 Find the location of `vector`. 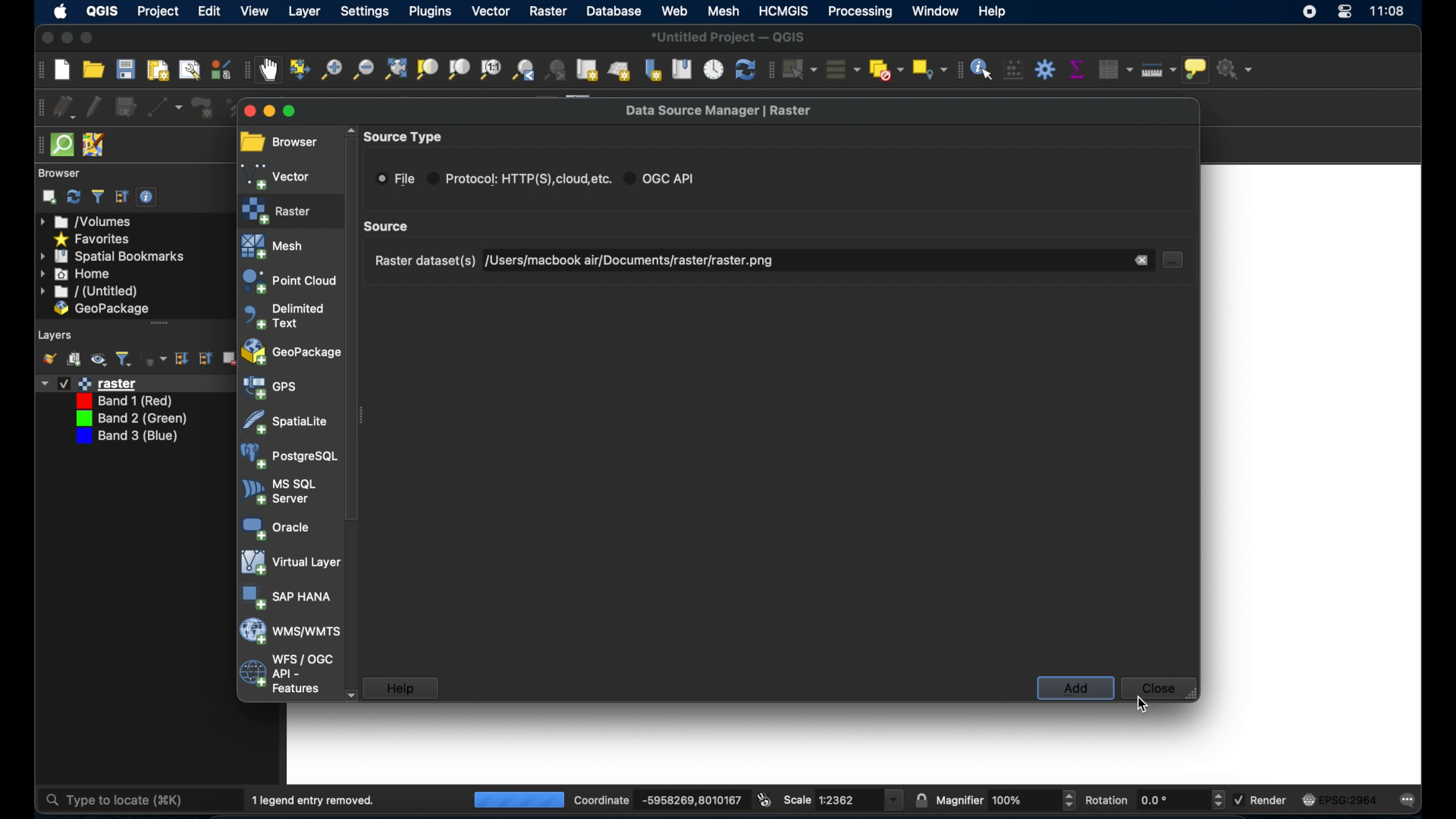

vector is located at coordinates (278, 174).